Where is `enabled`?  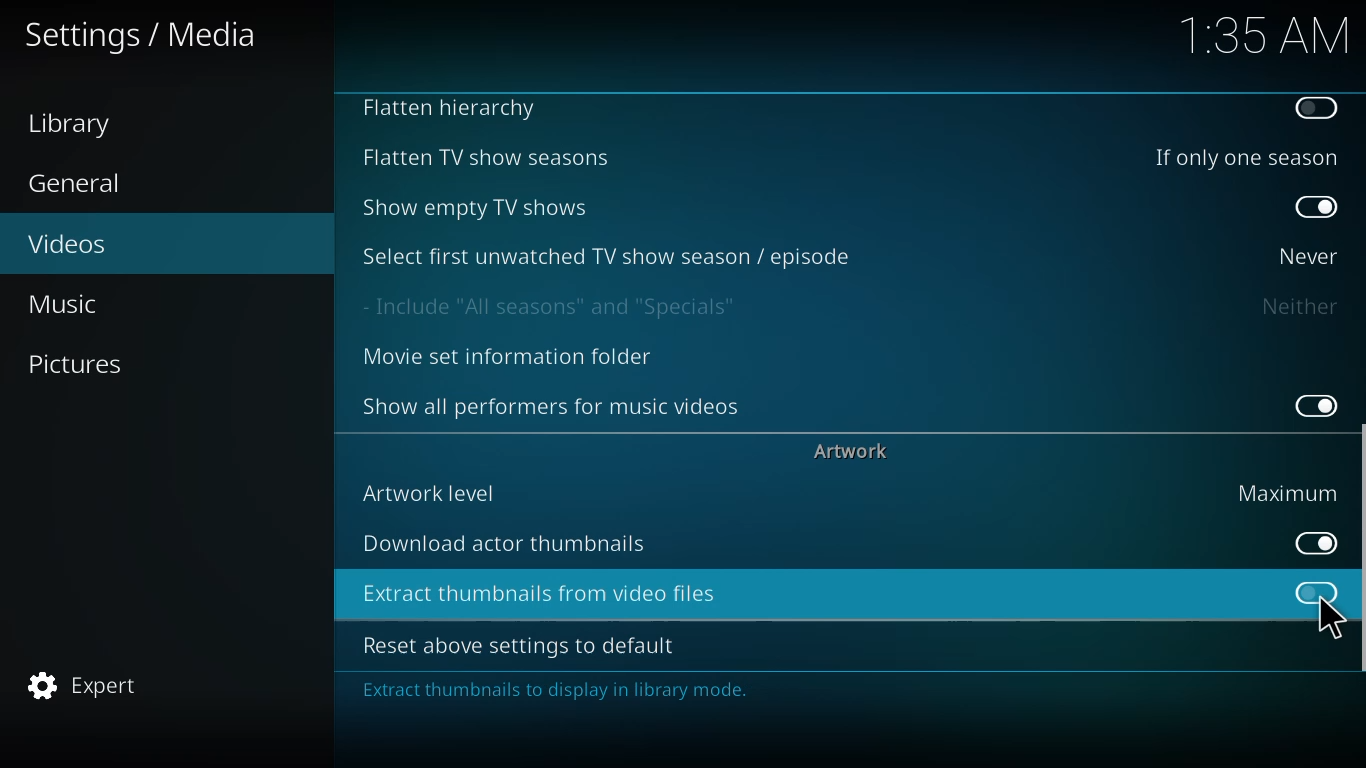 enabled is located at coordinates (1310, 402).